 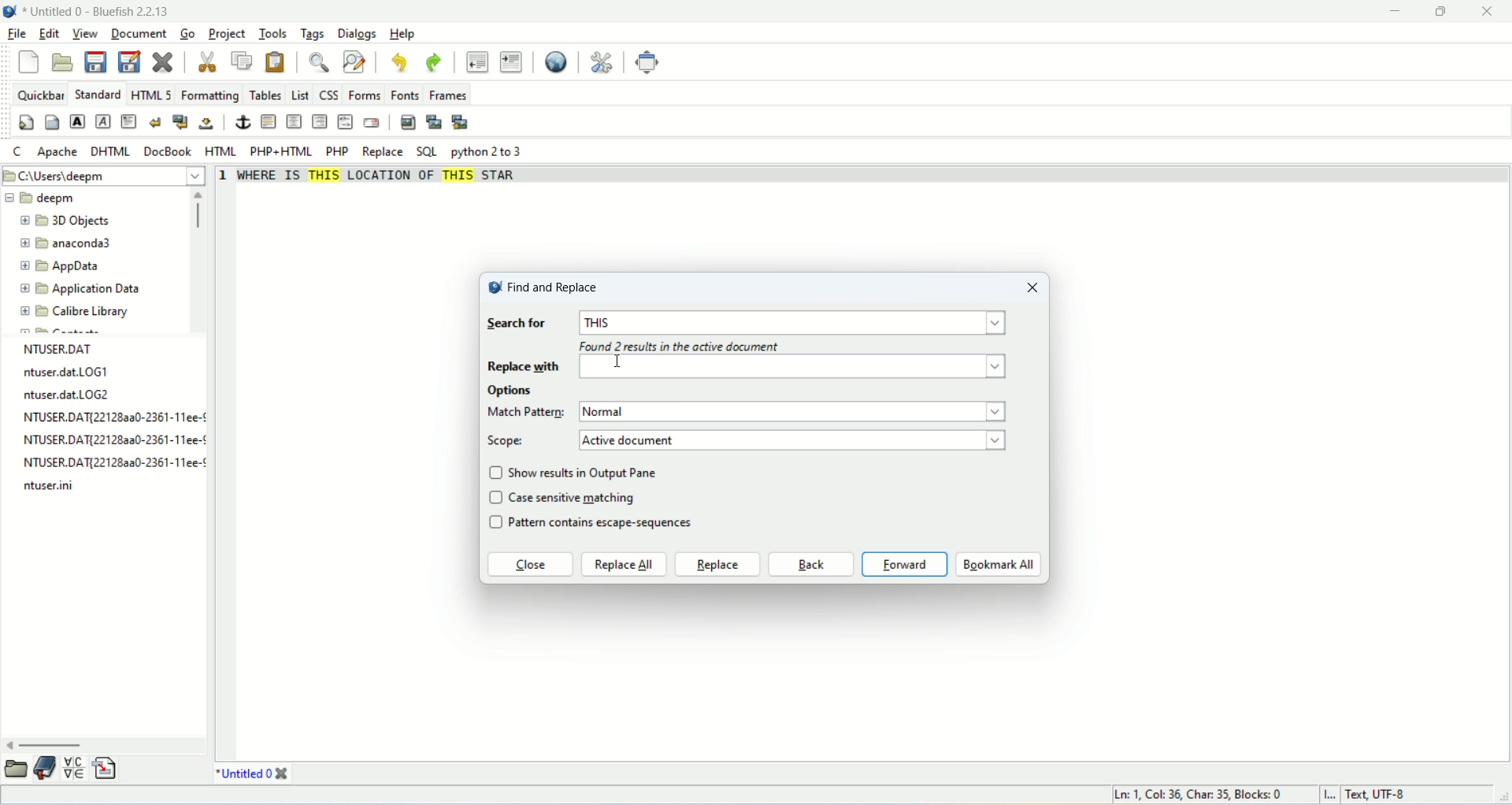 I want to click on replace, so click(x=381, y=153).